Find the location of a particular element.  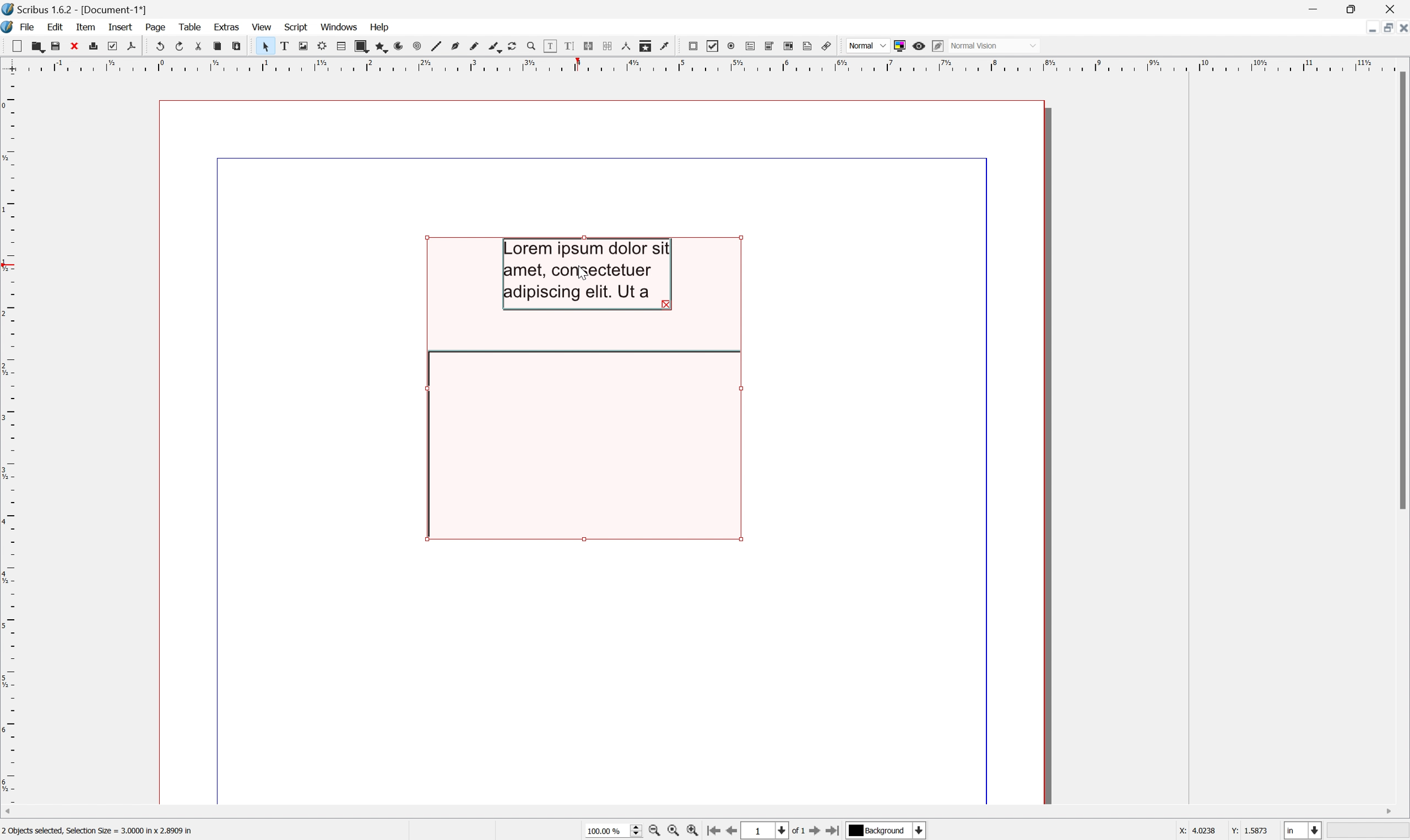

Edit text with story editor is located at coordinates (567, 45).